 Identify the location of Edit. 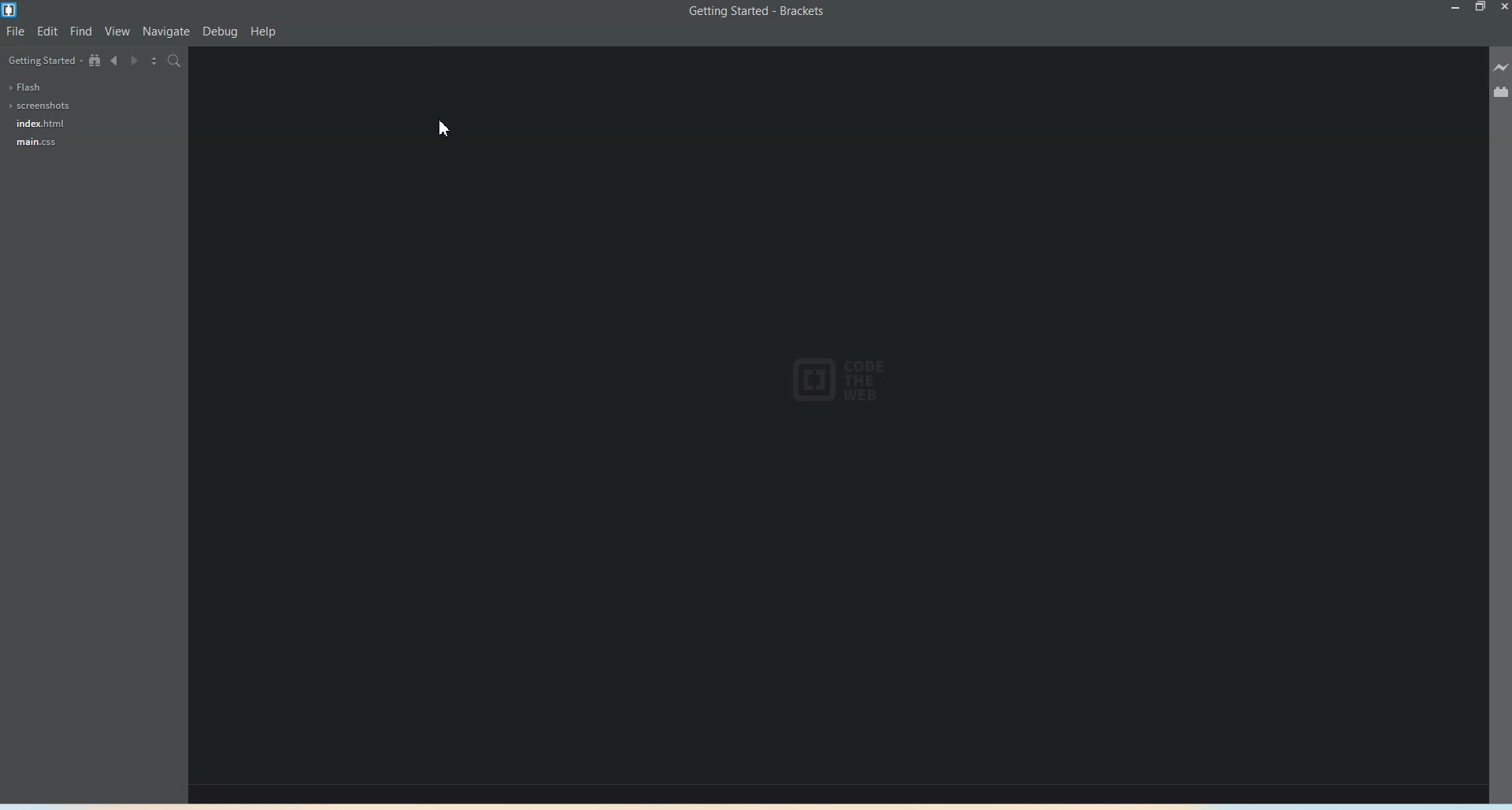
(47, 32).